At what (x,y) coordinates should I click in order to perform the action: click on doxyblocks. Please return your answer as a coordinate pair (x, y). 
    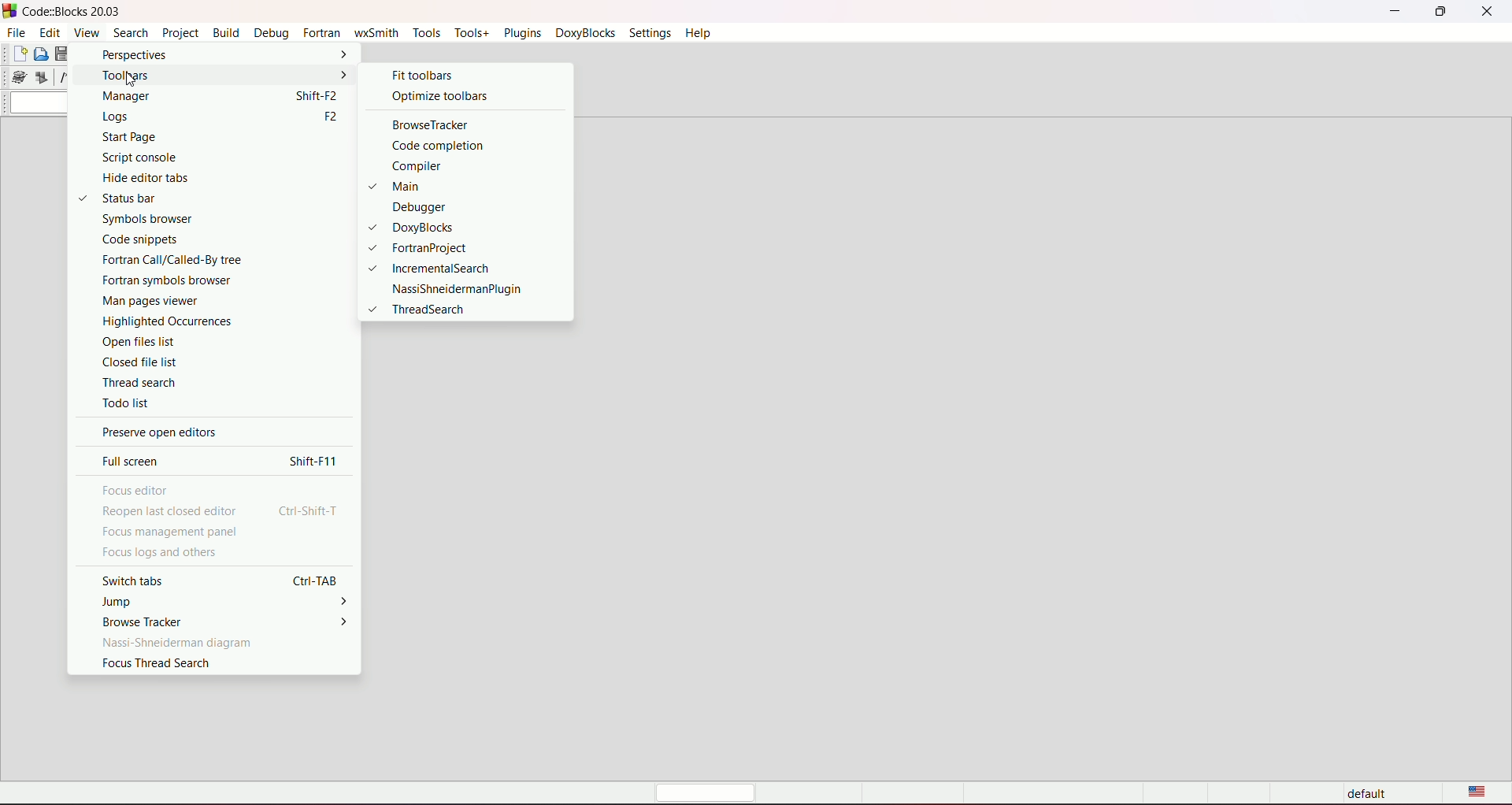
    Looking at the image, I should click on (582, 33).